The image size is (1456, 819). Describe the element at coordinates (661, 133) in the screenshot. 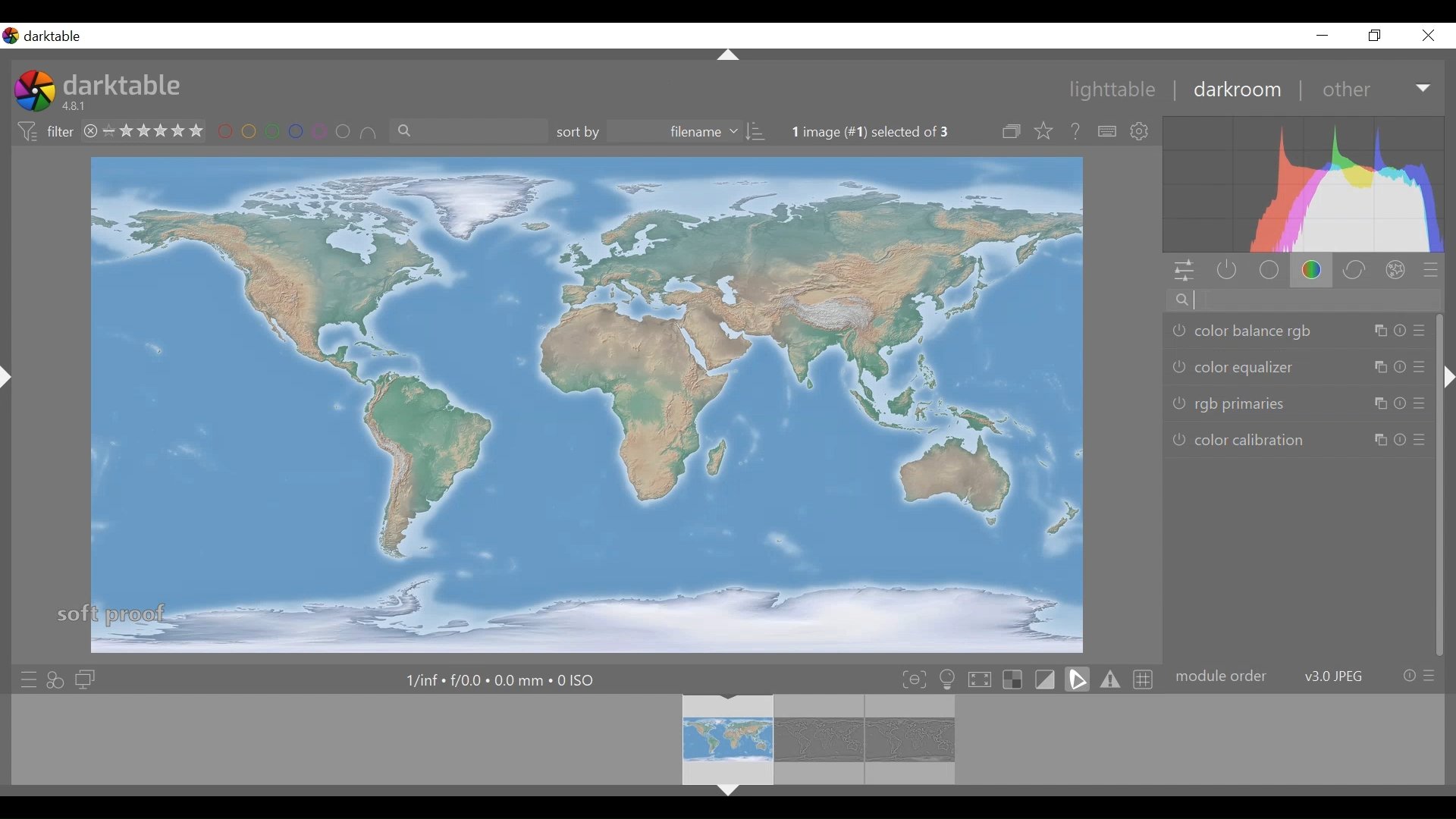

I see `sort by` at that location.